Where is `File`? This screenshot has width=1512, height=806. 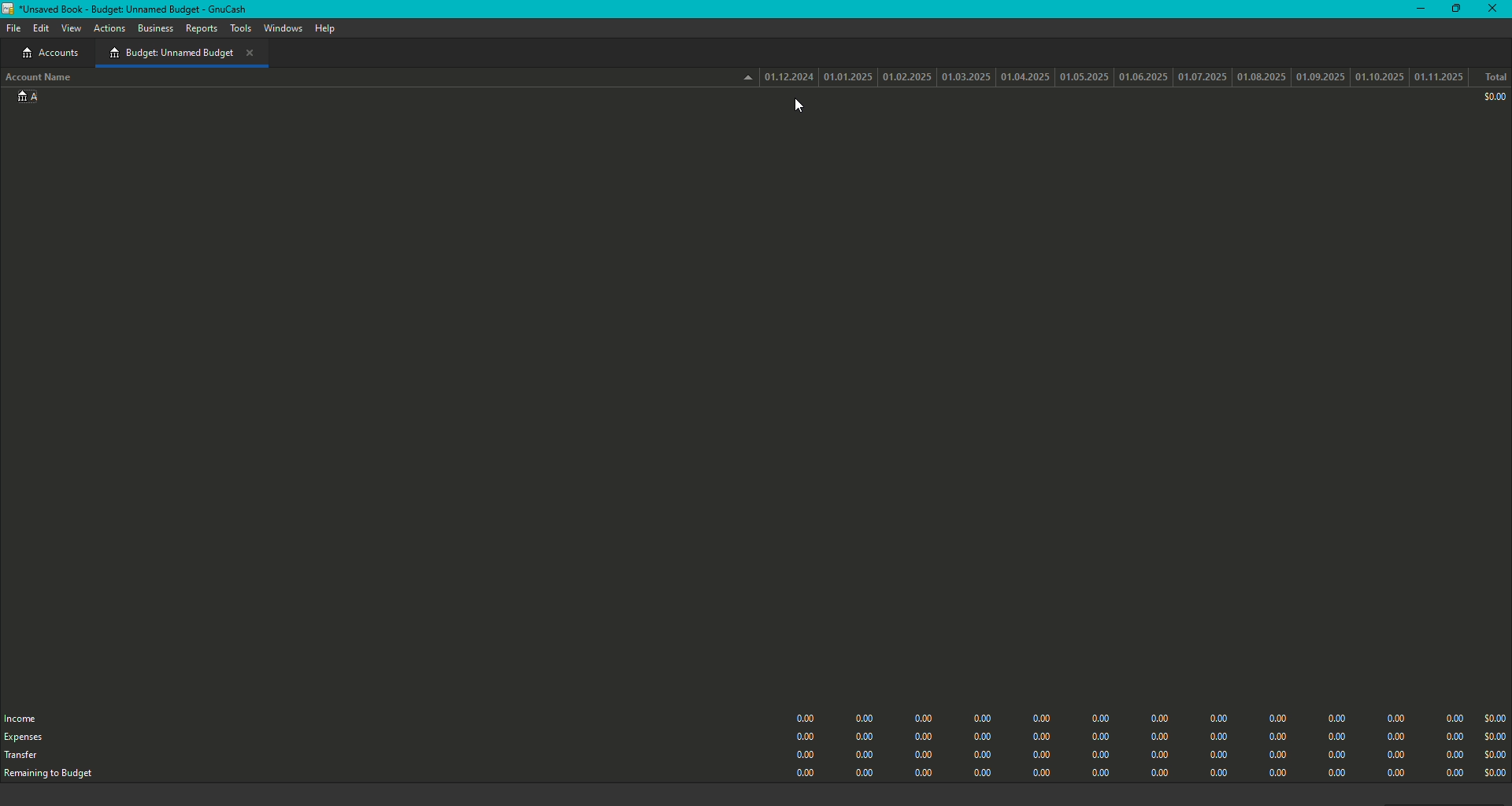 File is located at coordinates (12, 28).